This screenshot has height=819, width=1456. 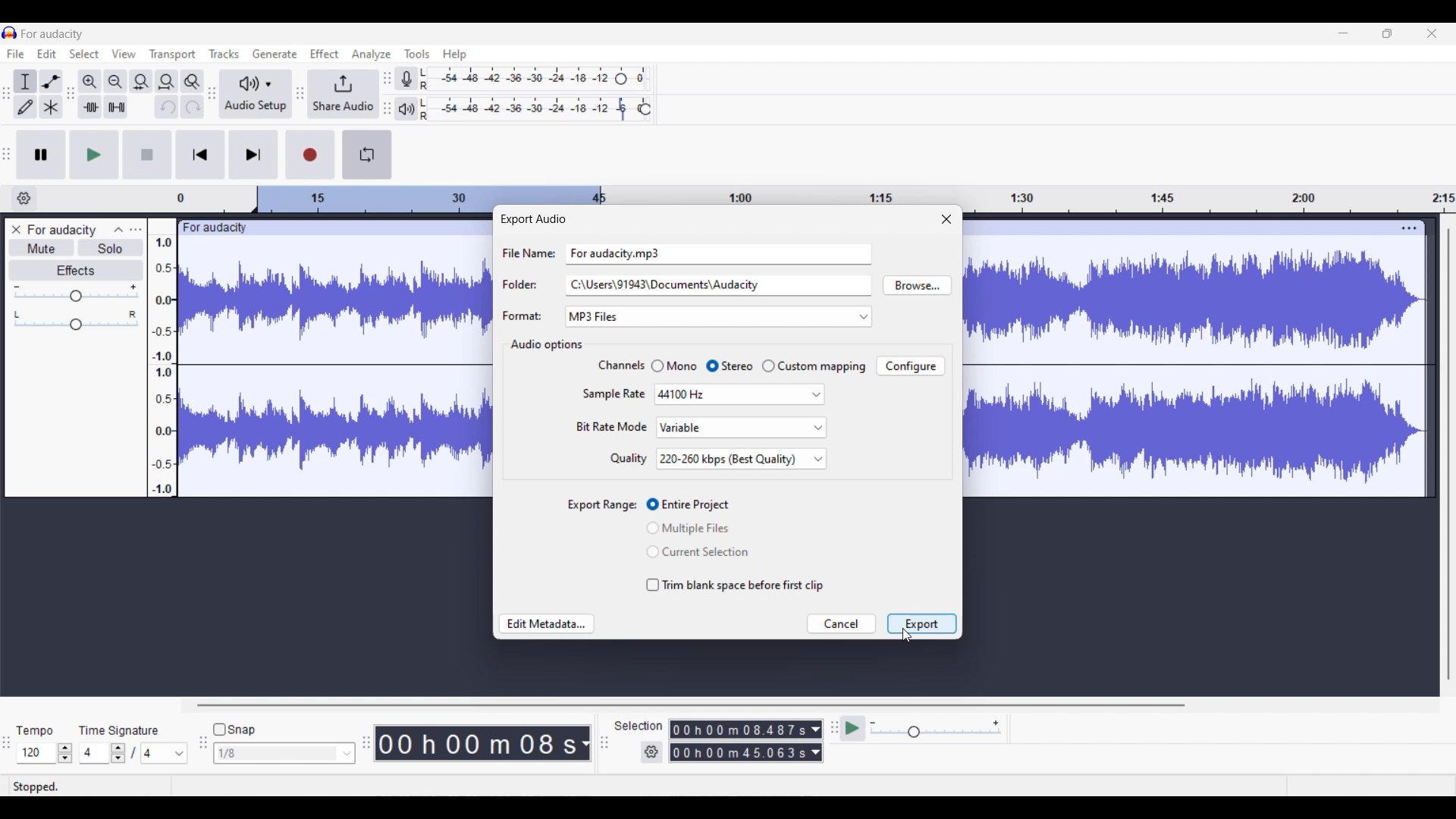 What do you see at coordinates (843, 623) in the screenshot?
I see `Cancel` at bounding box center [843, 623].